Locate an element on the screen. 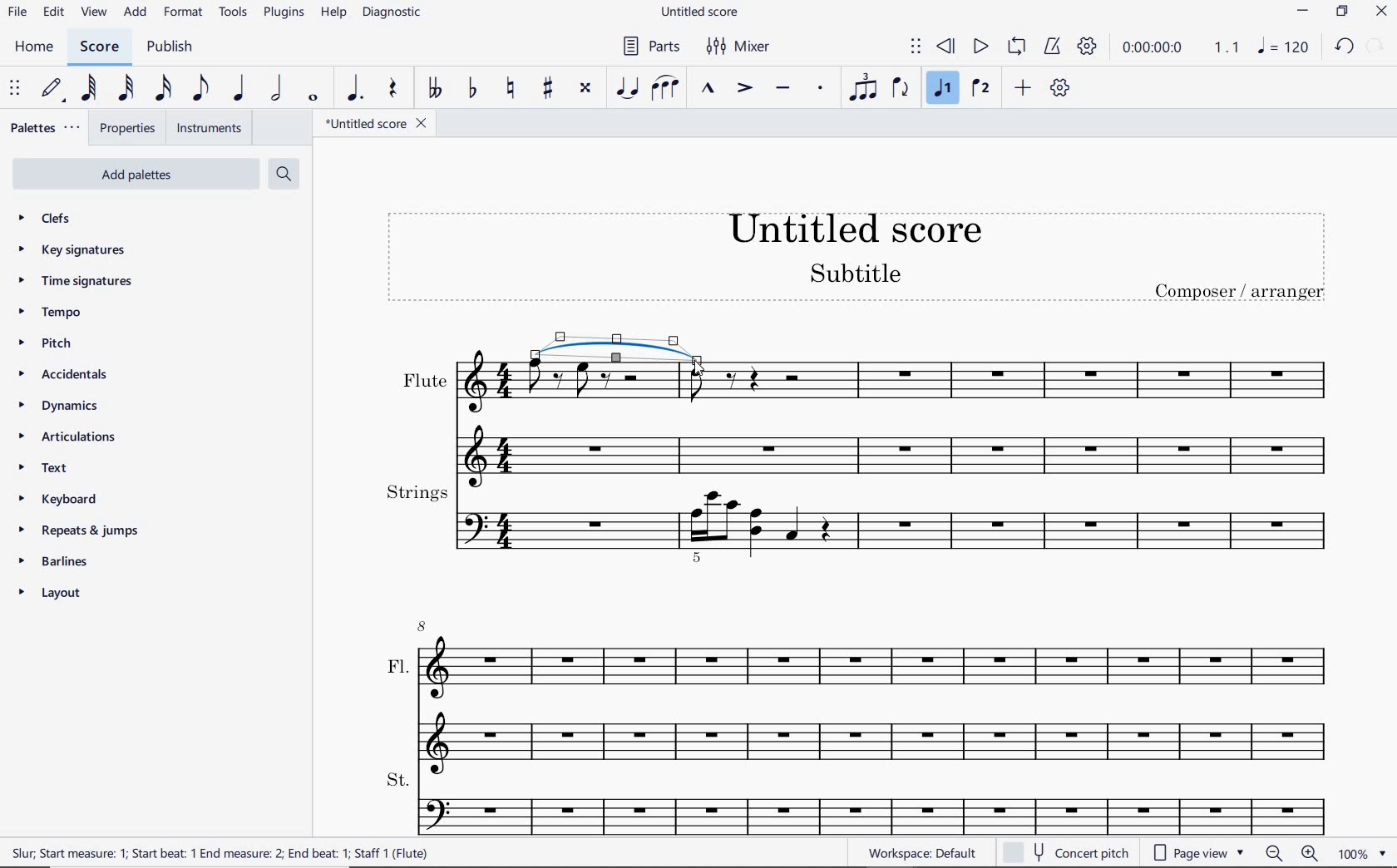 The image size is (1397, 868). keyboard is located at coordinates (55, 499).